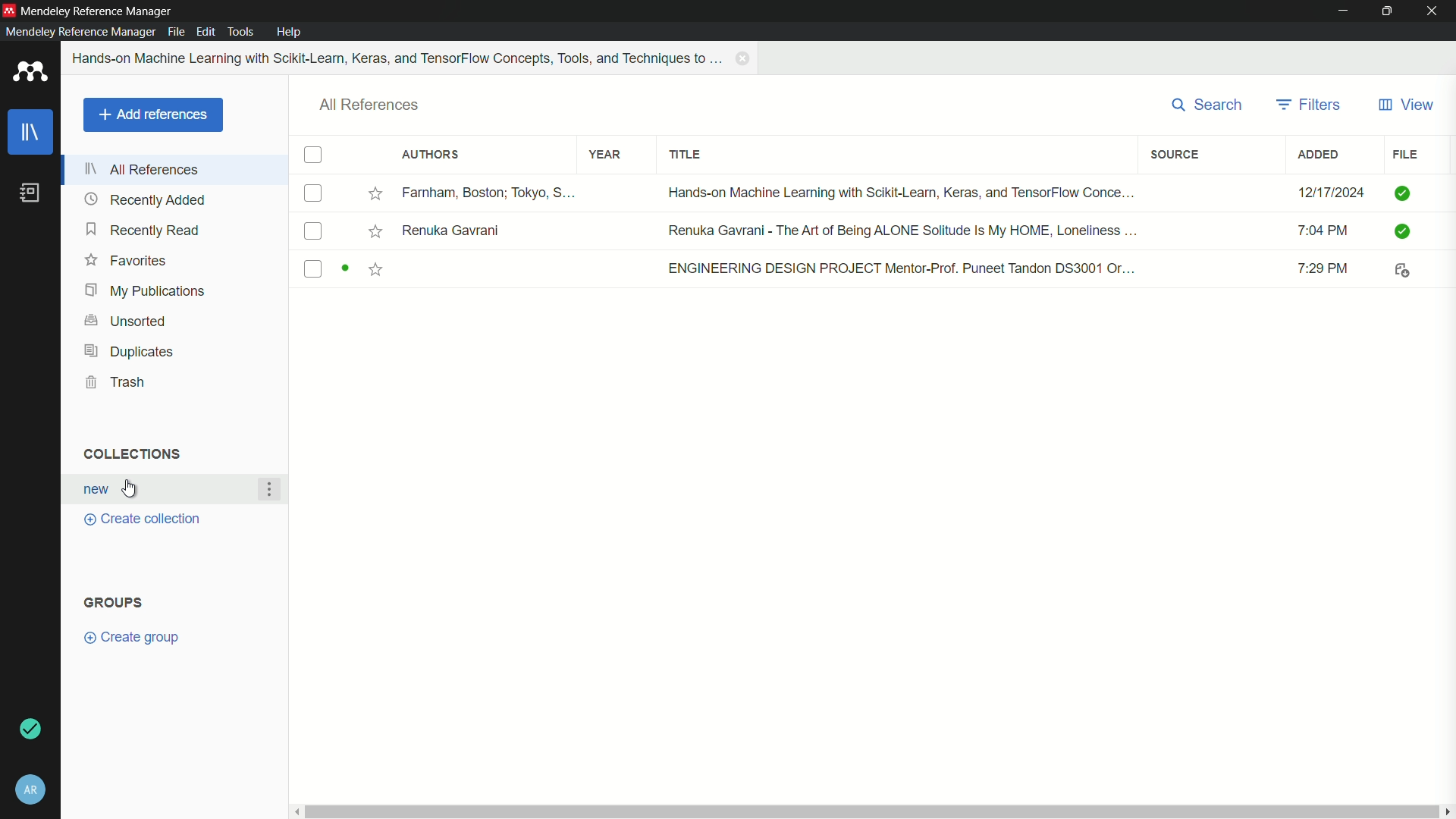  I want to click on search, so click(1209, 105).